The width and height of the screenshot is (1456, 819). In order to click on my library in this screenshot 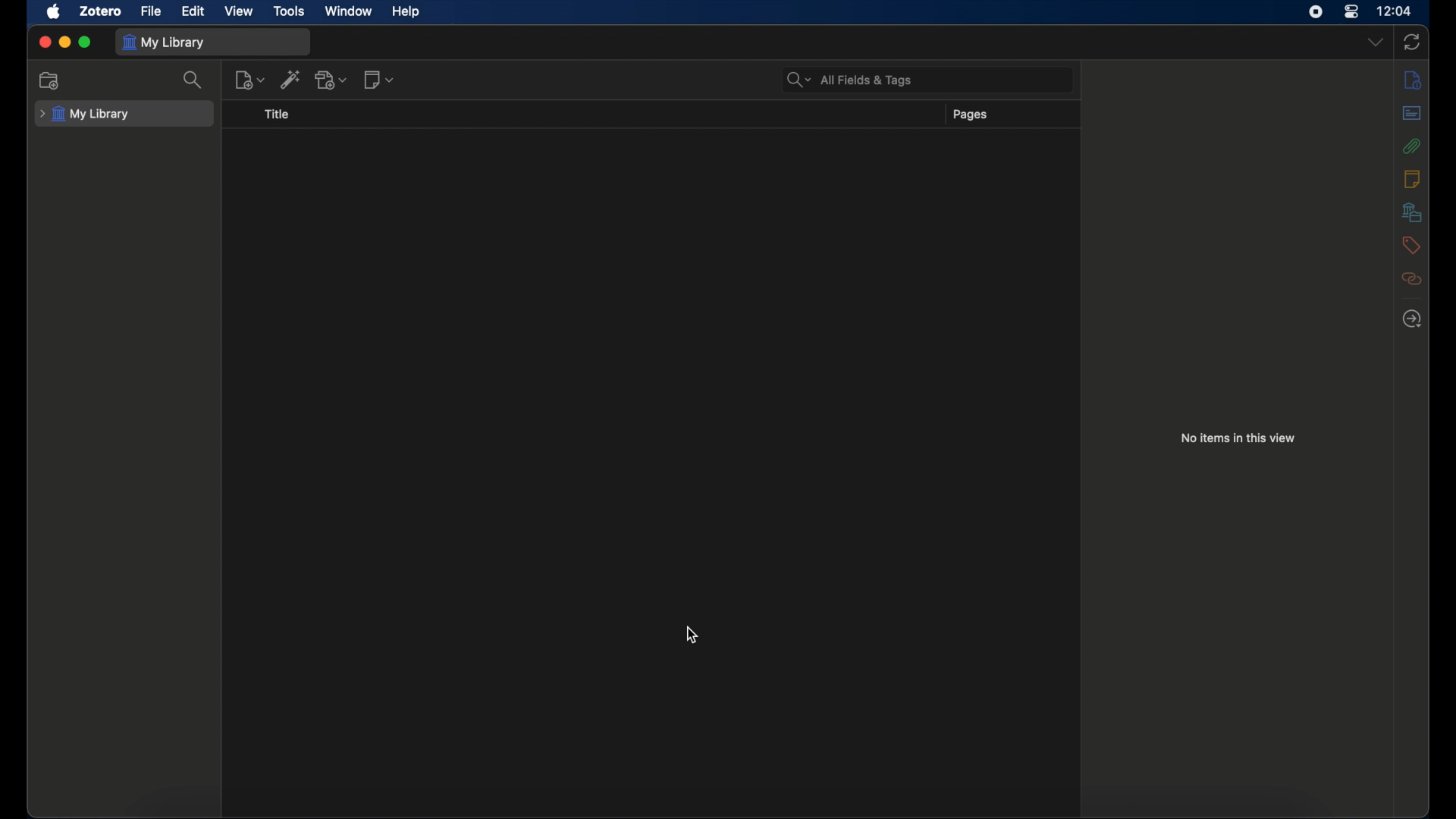, I will do `click(164, 42)`.